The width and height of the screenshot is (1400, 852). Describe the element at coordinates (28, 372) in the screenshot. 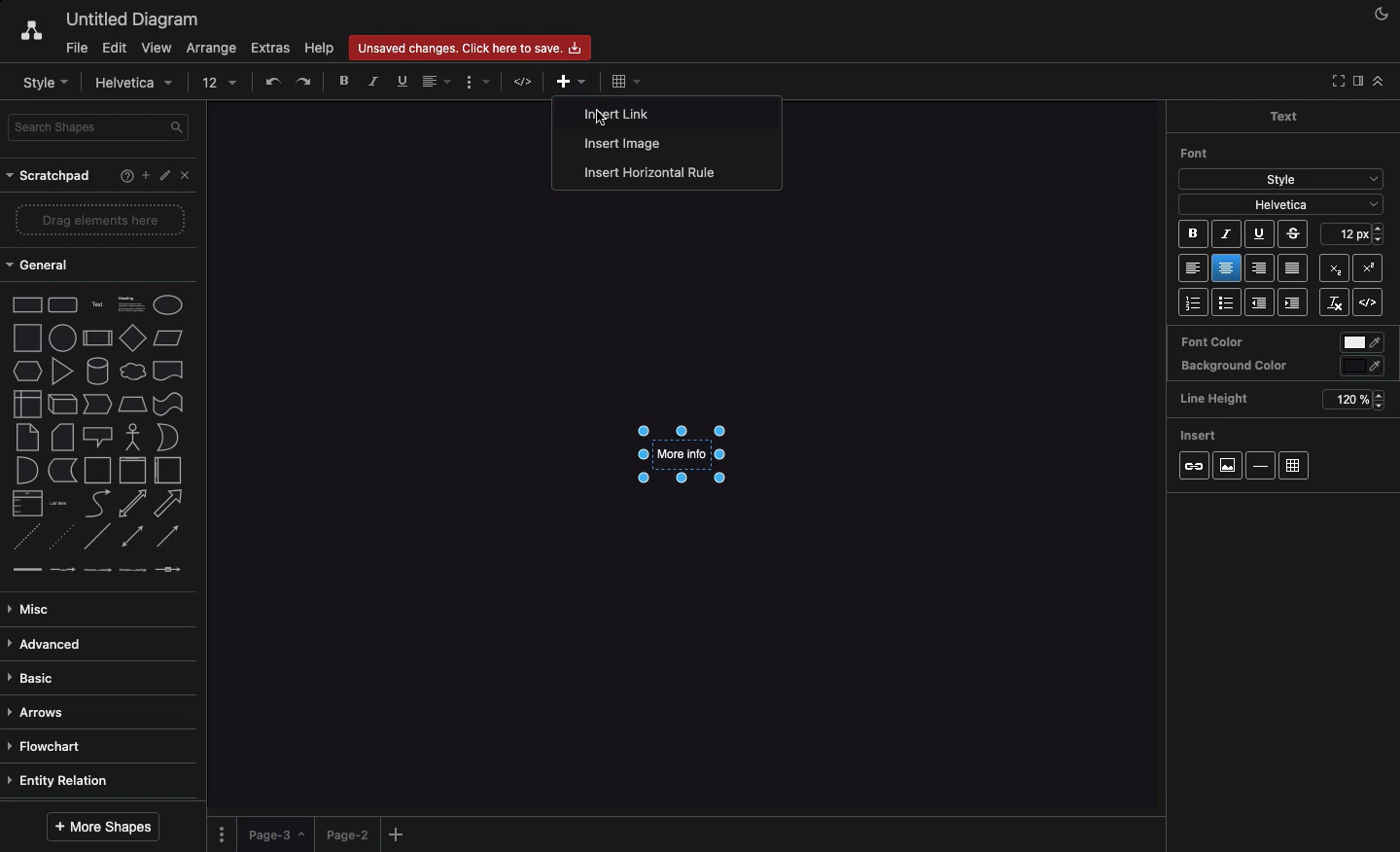

I see `hexagon` at that location.